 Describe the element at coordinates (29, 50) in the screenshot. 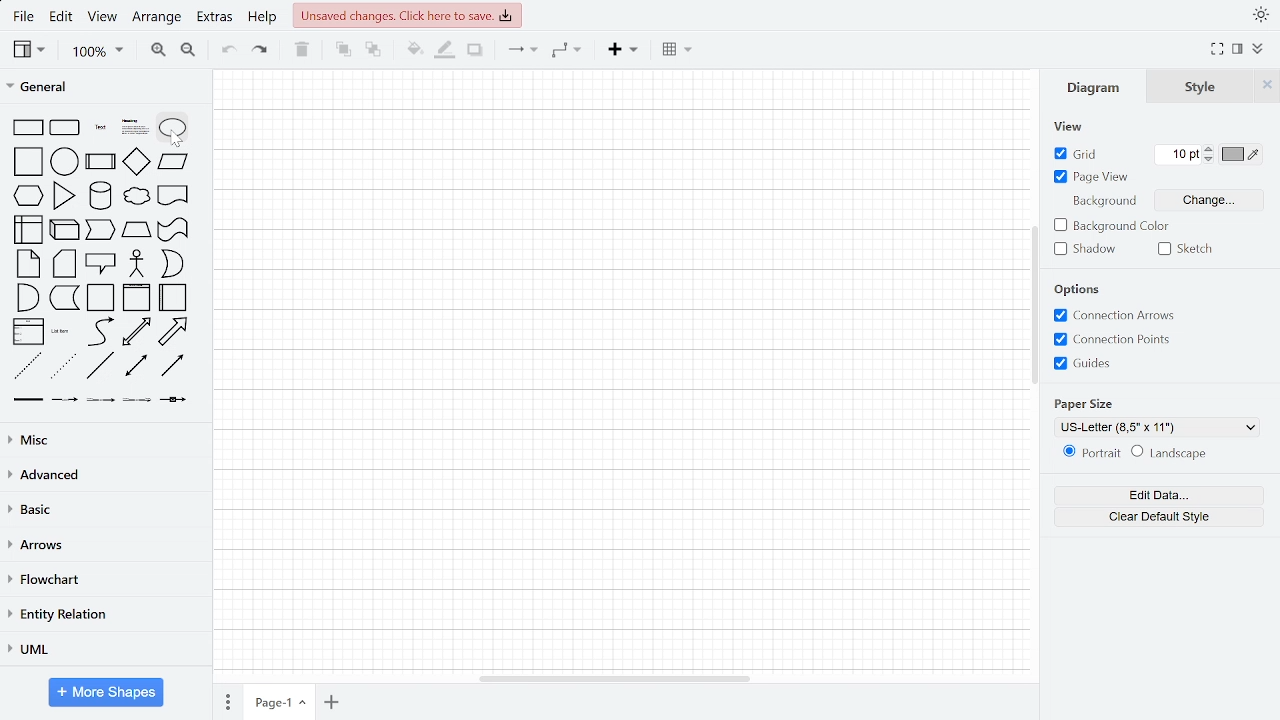

I see `view` at that location.